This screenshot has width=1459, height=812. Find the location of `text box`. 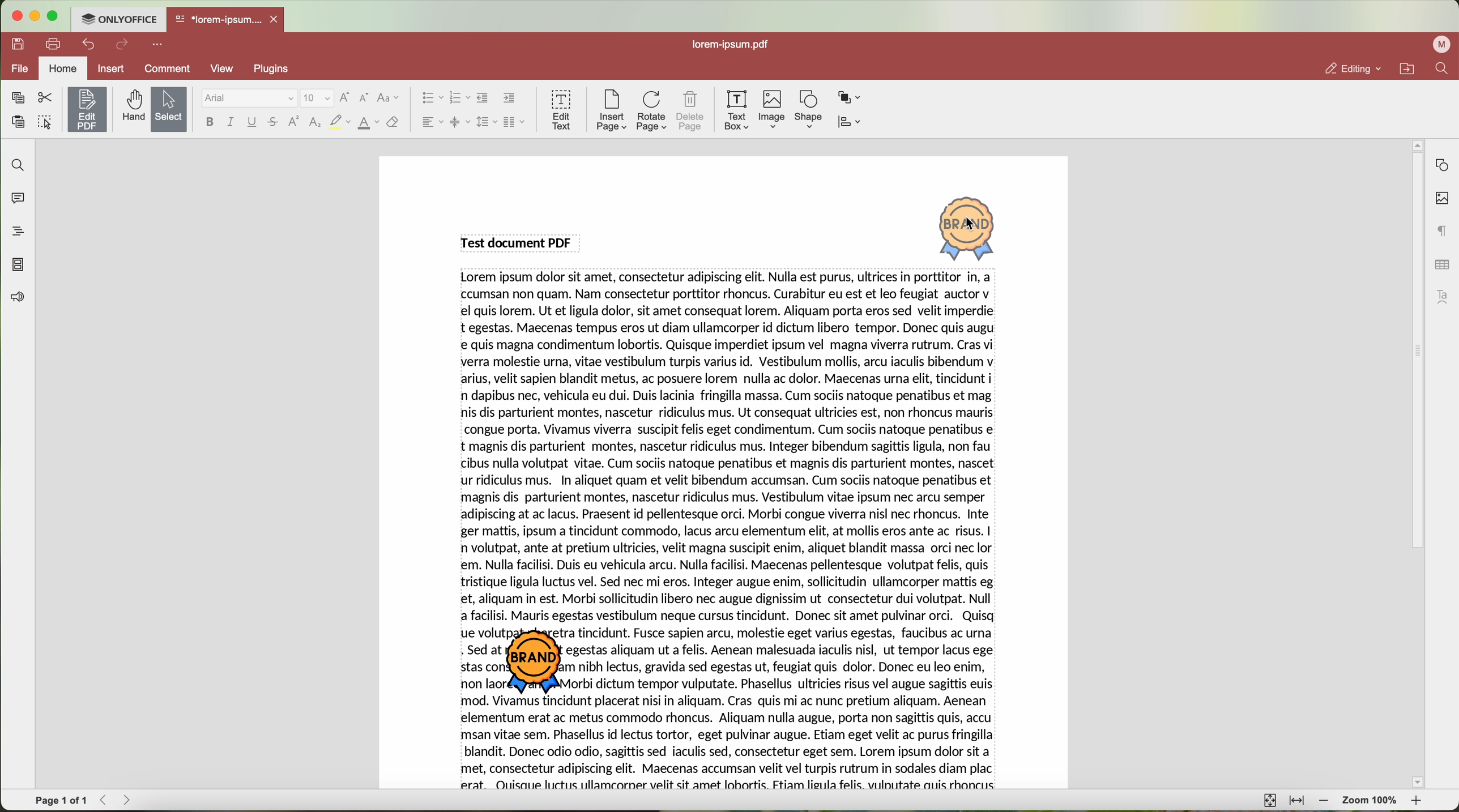

text box is located at coordinates (737, 110).